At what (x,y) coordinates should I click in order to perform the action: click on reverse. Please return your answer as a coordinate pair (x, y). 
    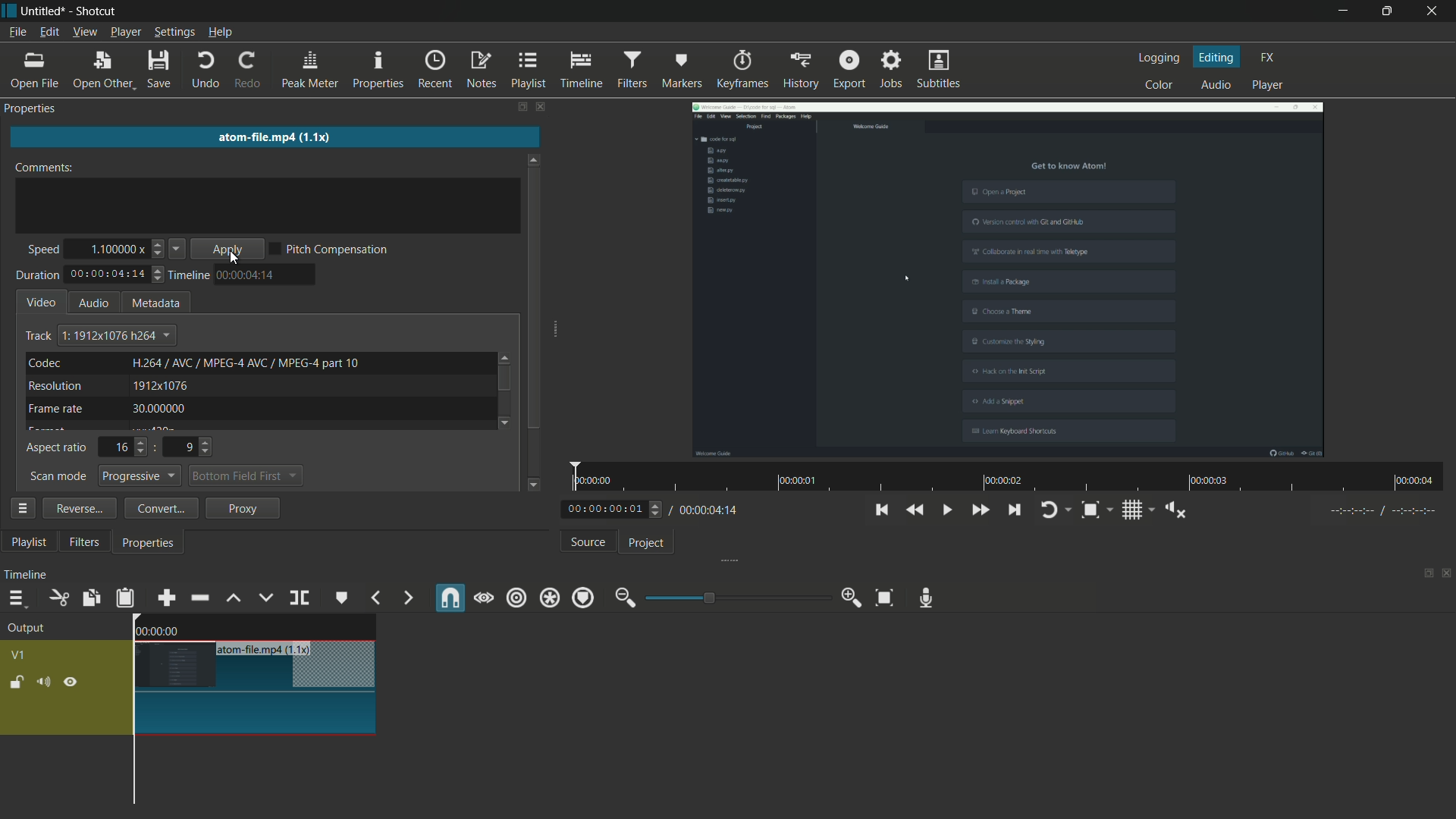
    Looking at the image, I should click on (77, 507).